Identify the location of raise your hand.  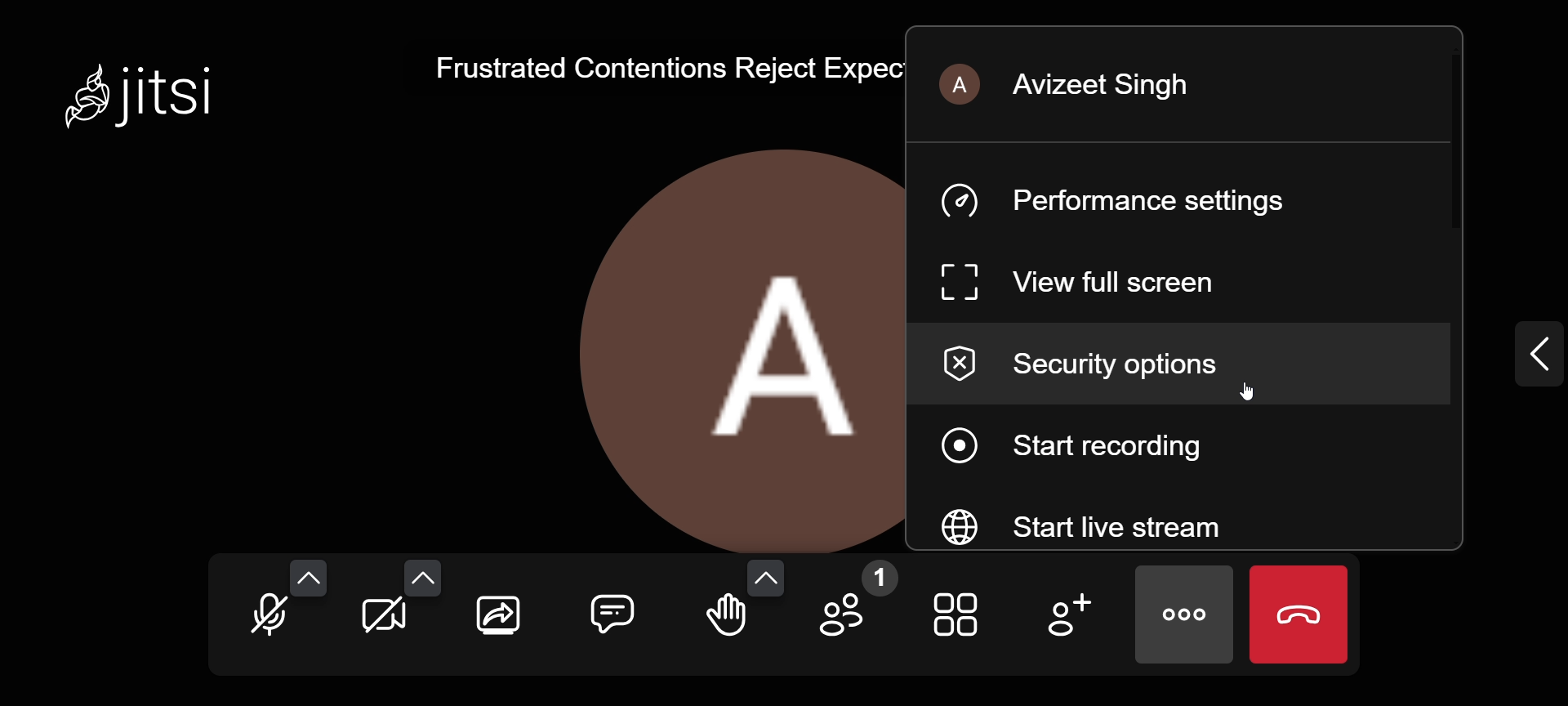
(724, 623).